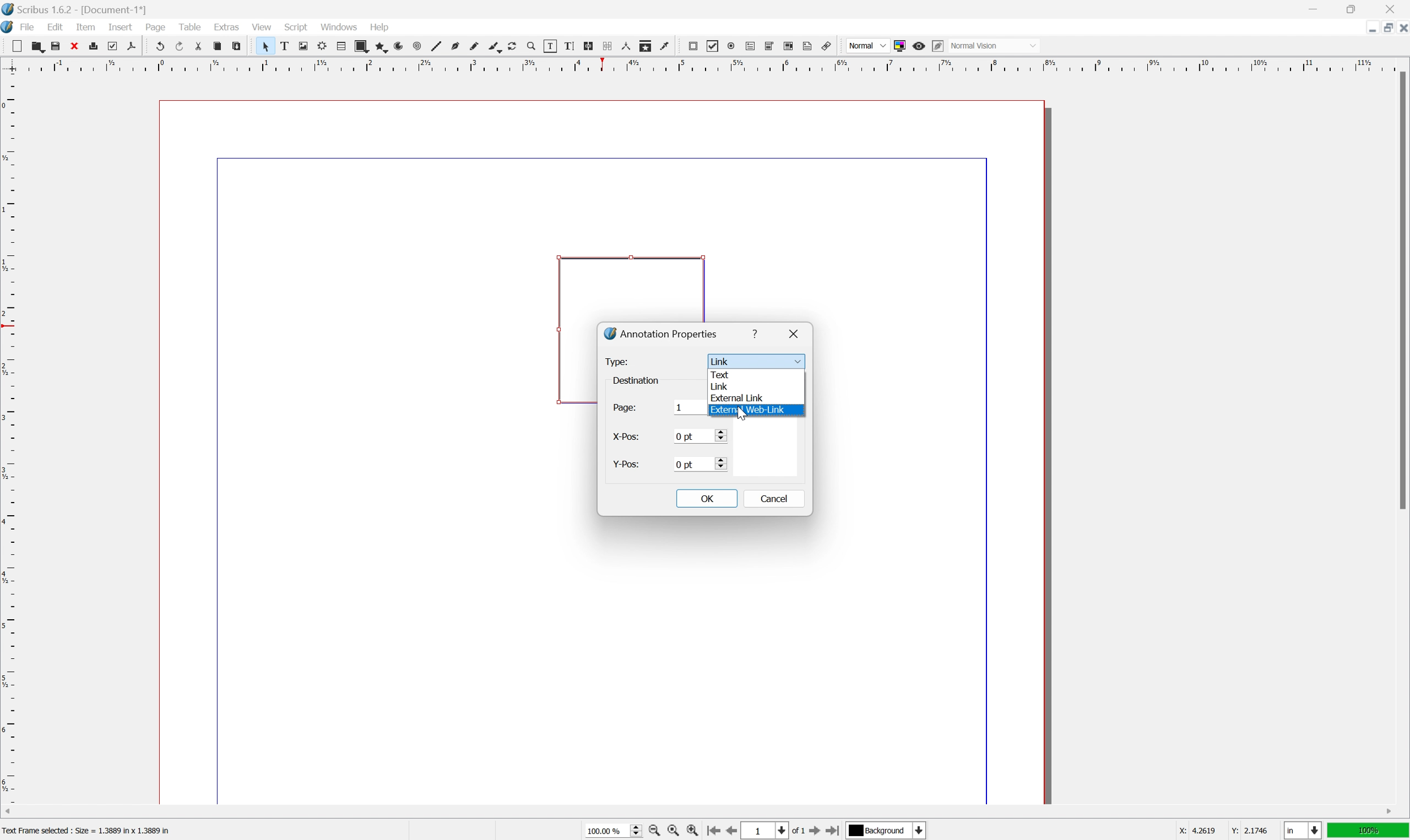 The height and width of the screenshot is (840, 1410). I want to click on normal, so click(867, 44).